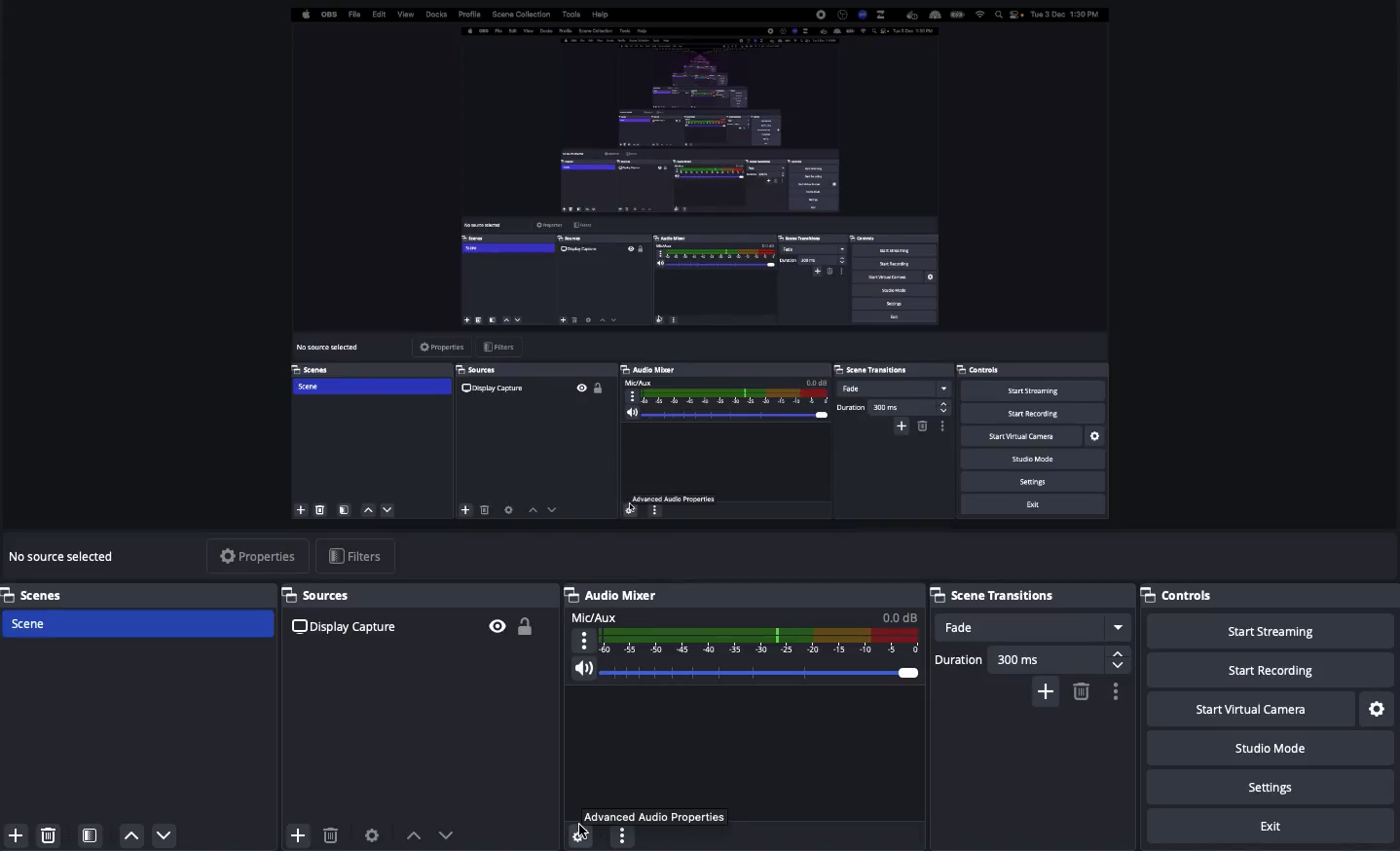  I want to click on Scene, so click(139, 624).